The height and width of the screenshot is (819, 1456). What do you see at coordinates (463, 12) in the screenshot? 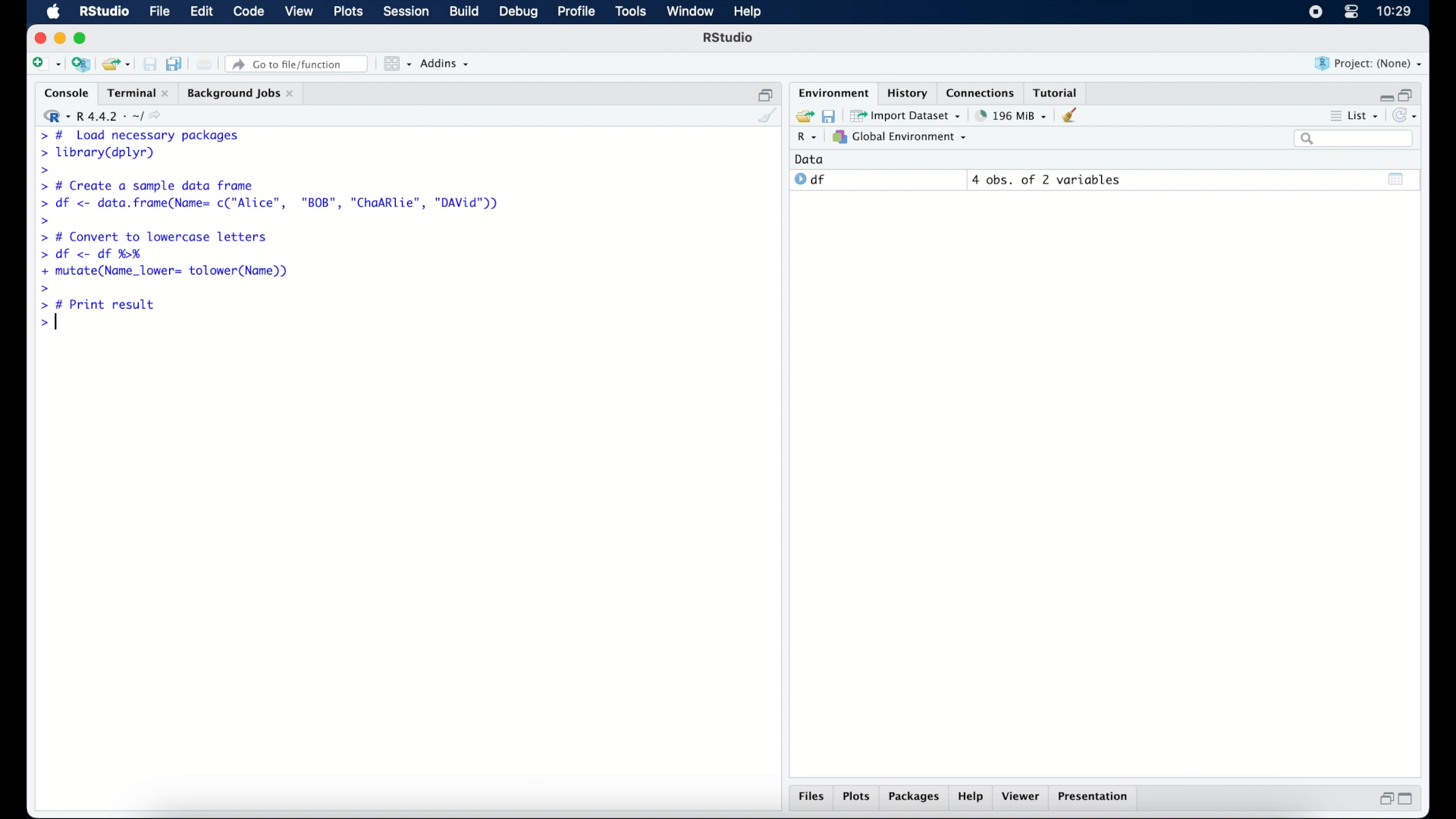
I see `build` at bounding box center [463, 12].